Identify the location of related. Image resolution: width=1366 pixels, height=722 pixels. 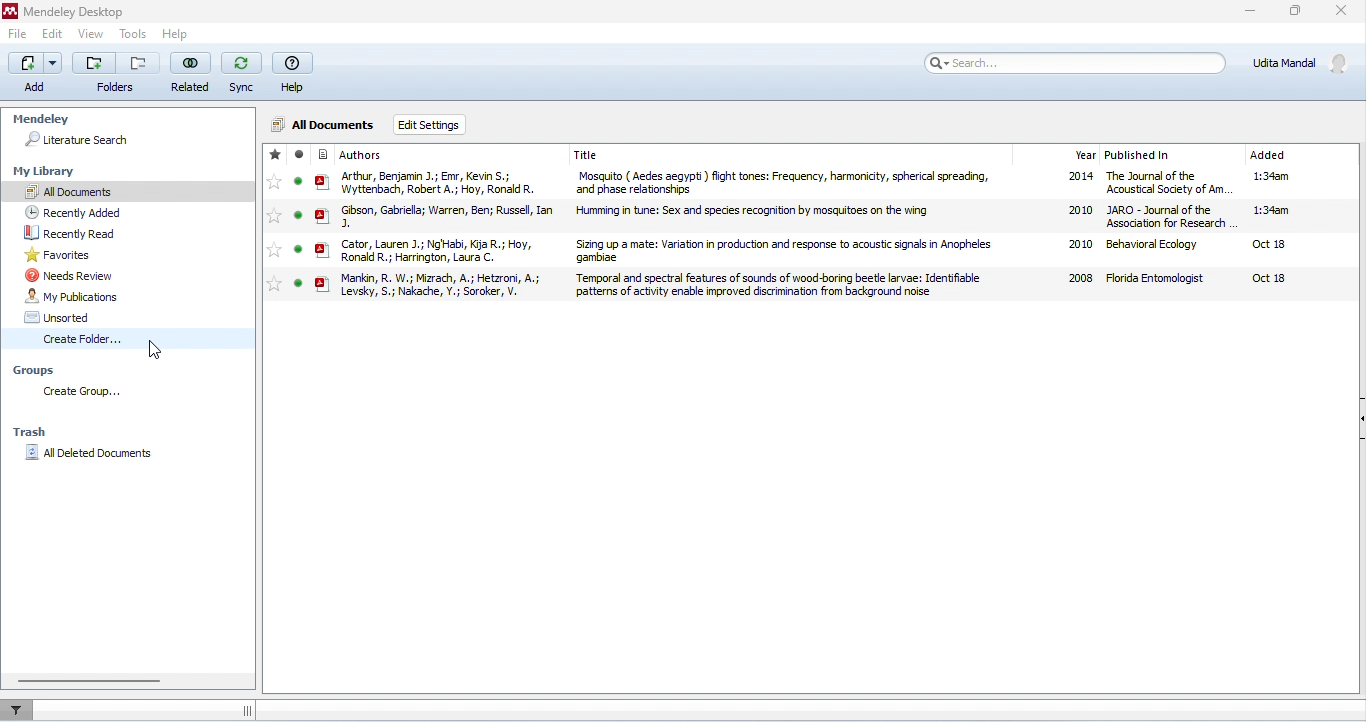
(190, 72).